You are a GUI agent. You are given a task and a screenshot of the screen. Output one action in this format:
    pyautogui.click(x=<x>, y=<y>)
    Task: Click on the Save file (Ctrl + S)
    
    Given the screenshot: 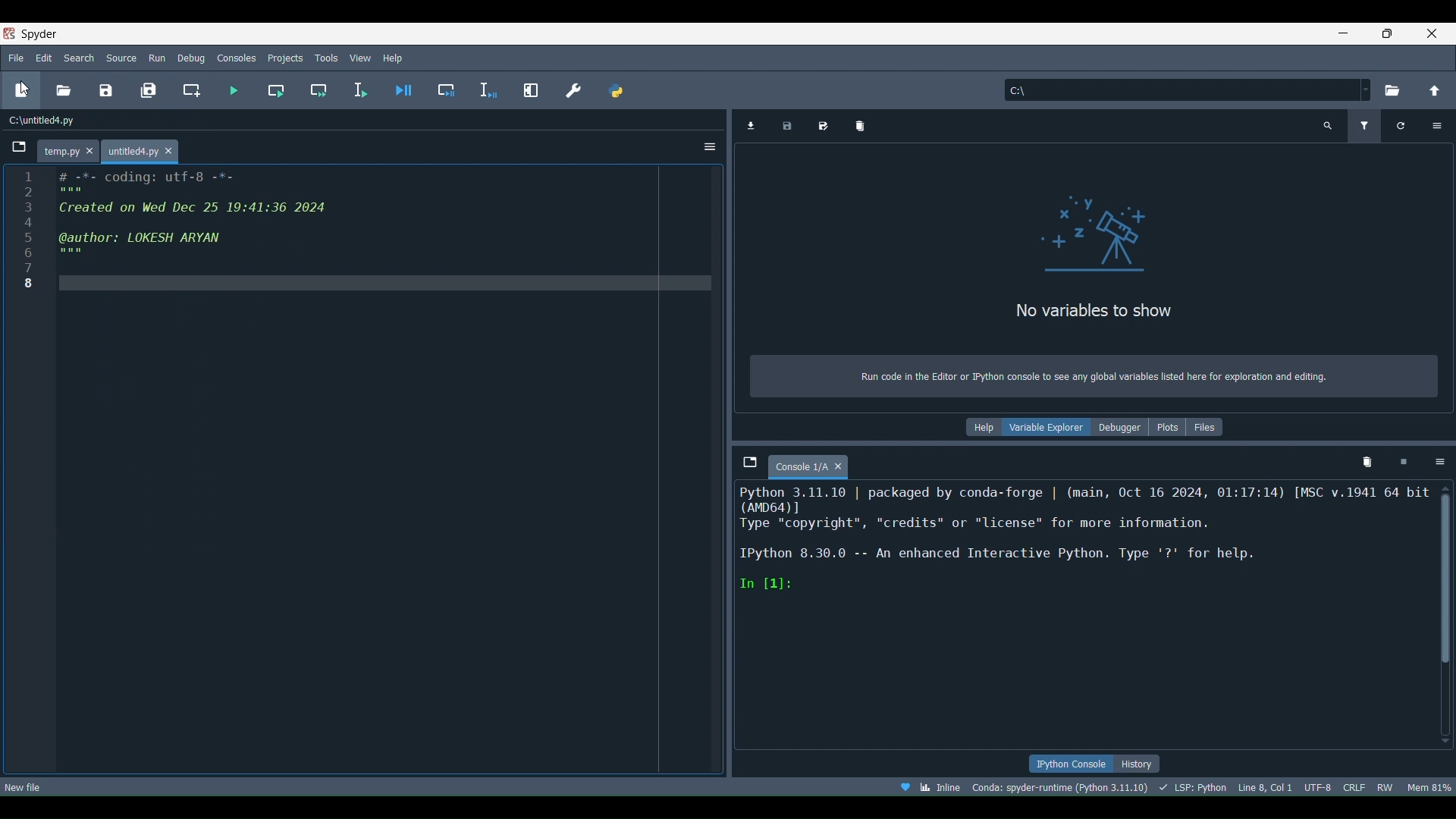 What is the action you would take?
    pyautogui.click(x=104, y=90)
    